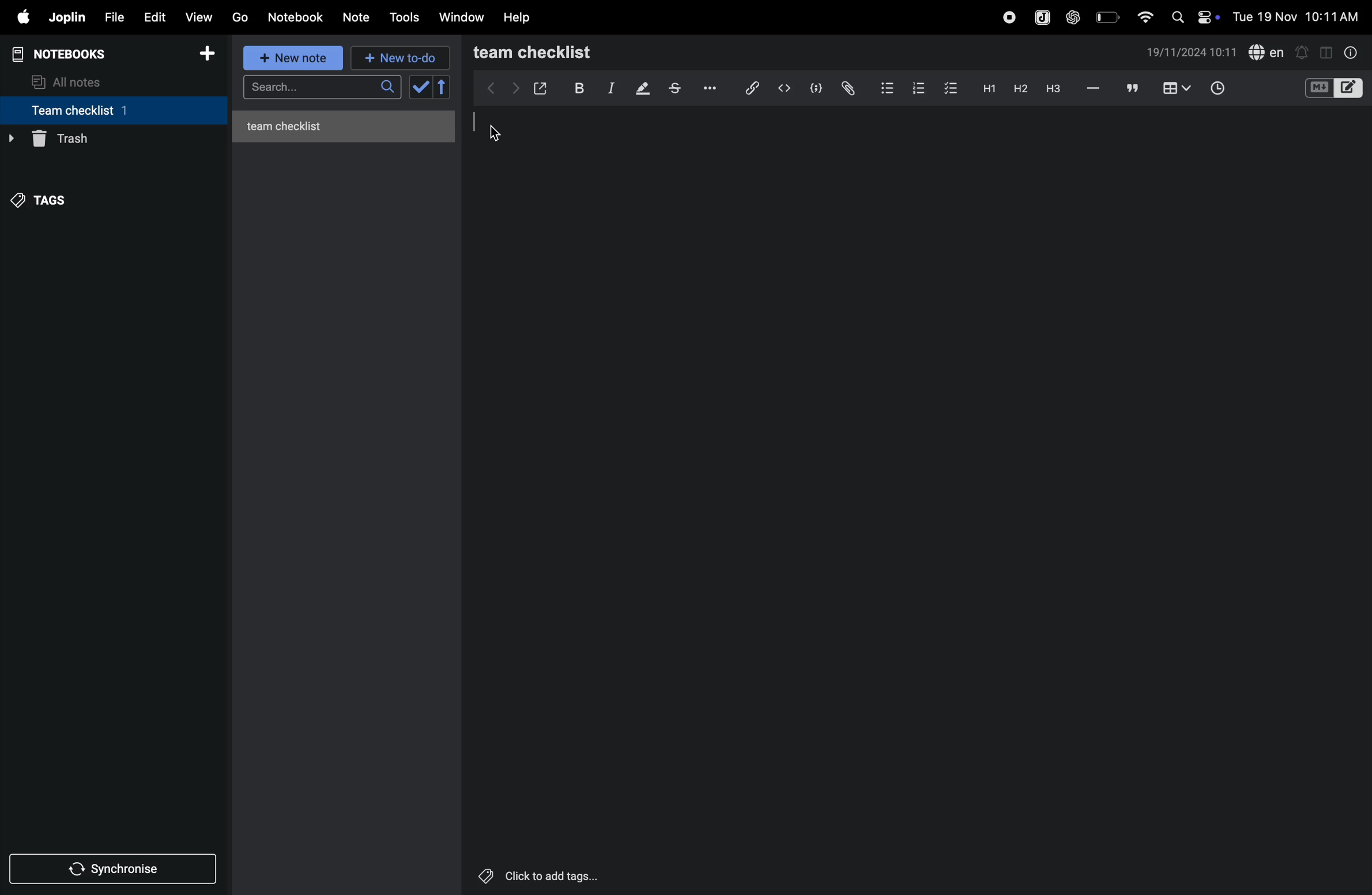  What do you see at coordinates (1177, 17) in the screenshot?
I see `search` at bounding box center [1177, 17].